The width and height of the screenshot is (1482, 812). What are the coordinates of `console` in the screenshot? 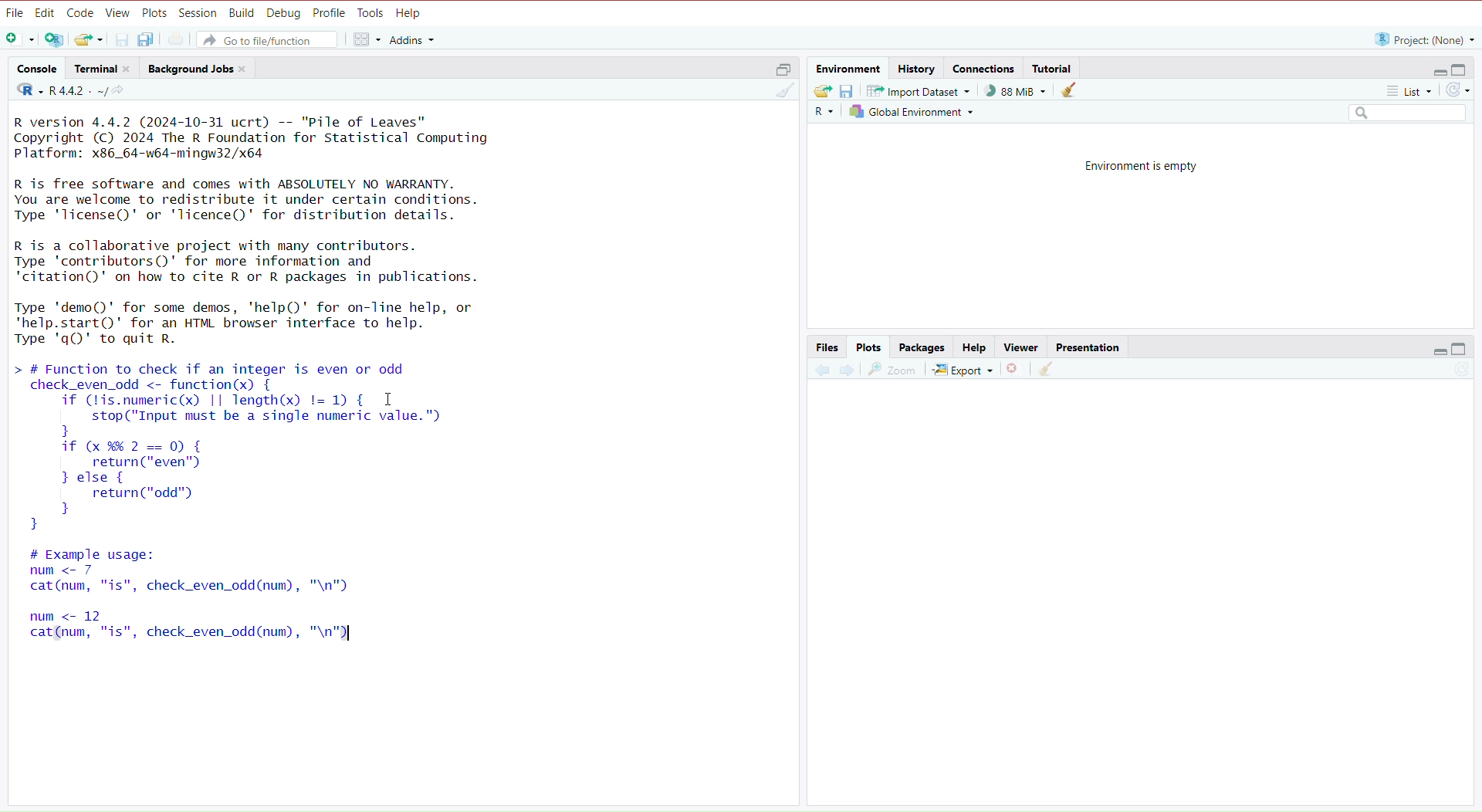 It's located at (36, 69).